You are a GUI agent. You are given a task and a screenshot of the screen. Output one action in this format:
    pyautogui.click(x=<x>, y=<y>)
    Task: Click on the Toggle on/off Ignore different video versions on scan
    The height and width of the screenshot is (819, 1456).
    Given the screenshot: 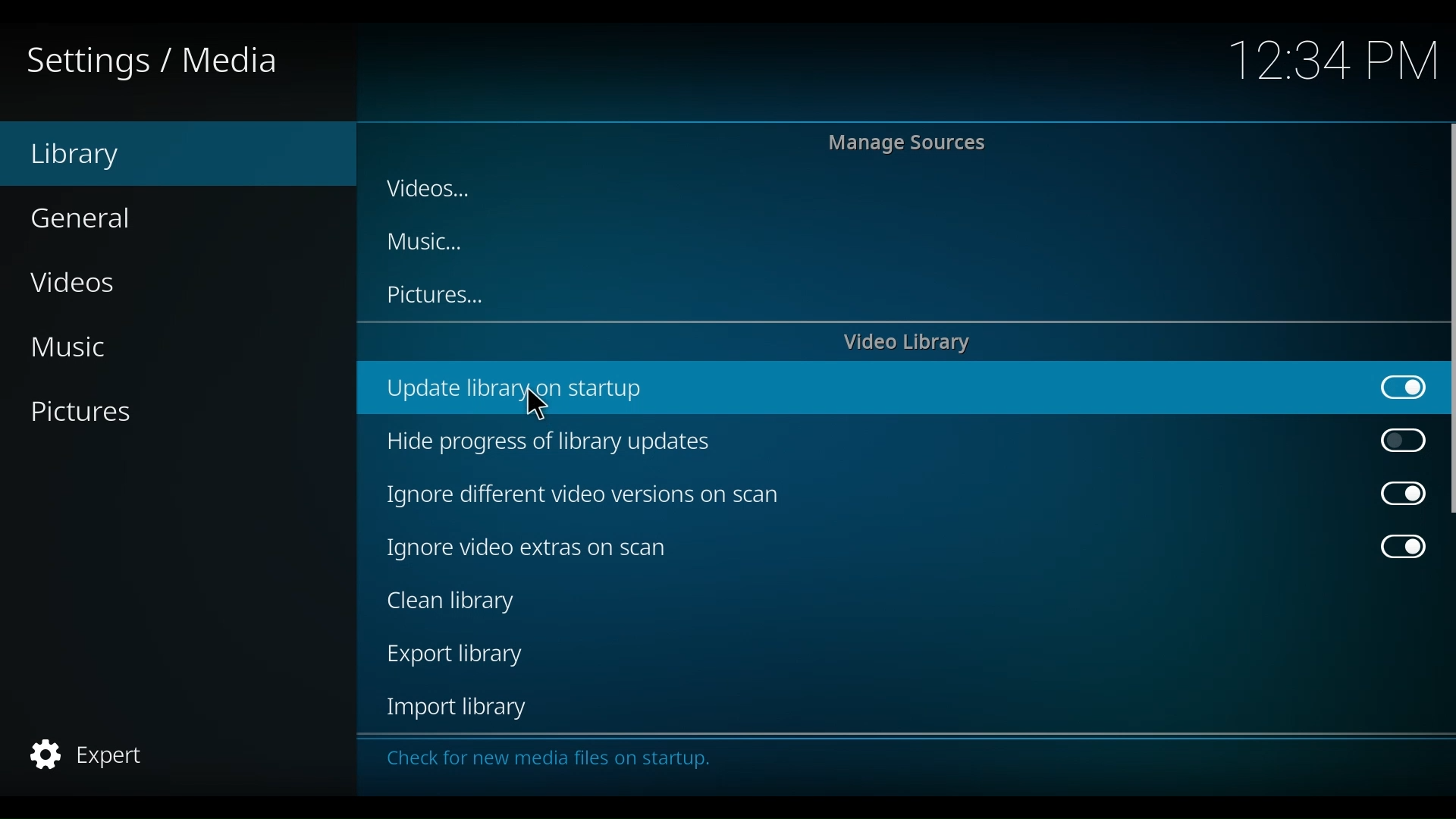 What is the action you would take?
    pyautogui.click(x=1401, y=495)
    